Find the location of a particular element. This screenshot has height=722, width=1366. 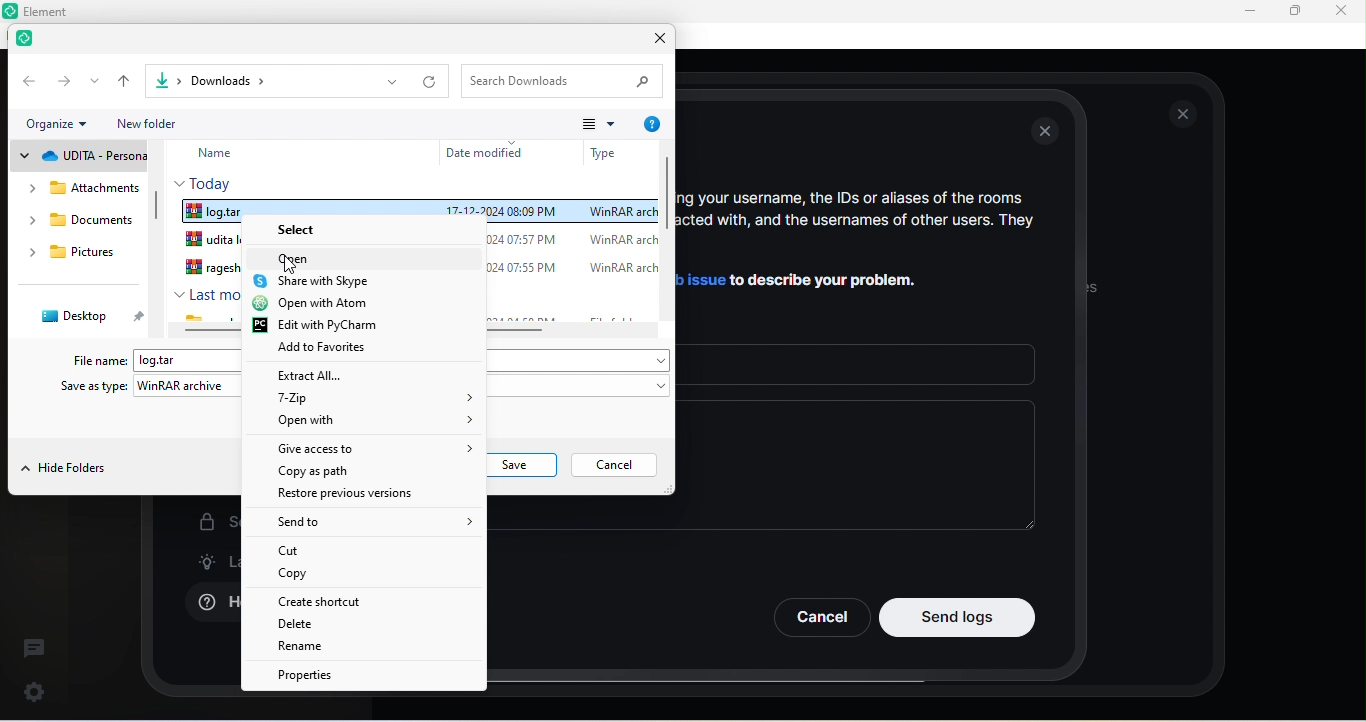

select is located at coordinates (301, 226).